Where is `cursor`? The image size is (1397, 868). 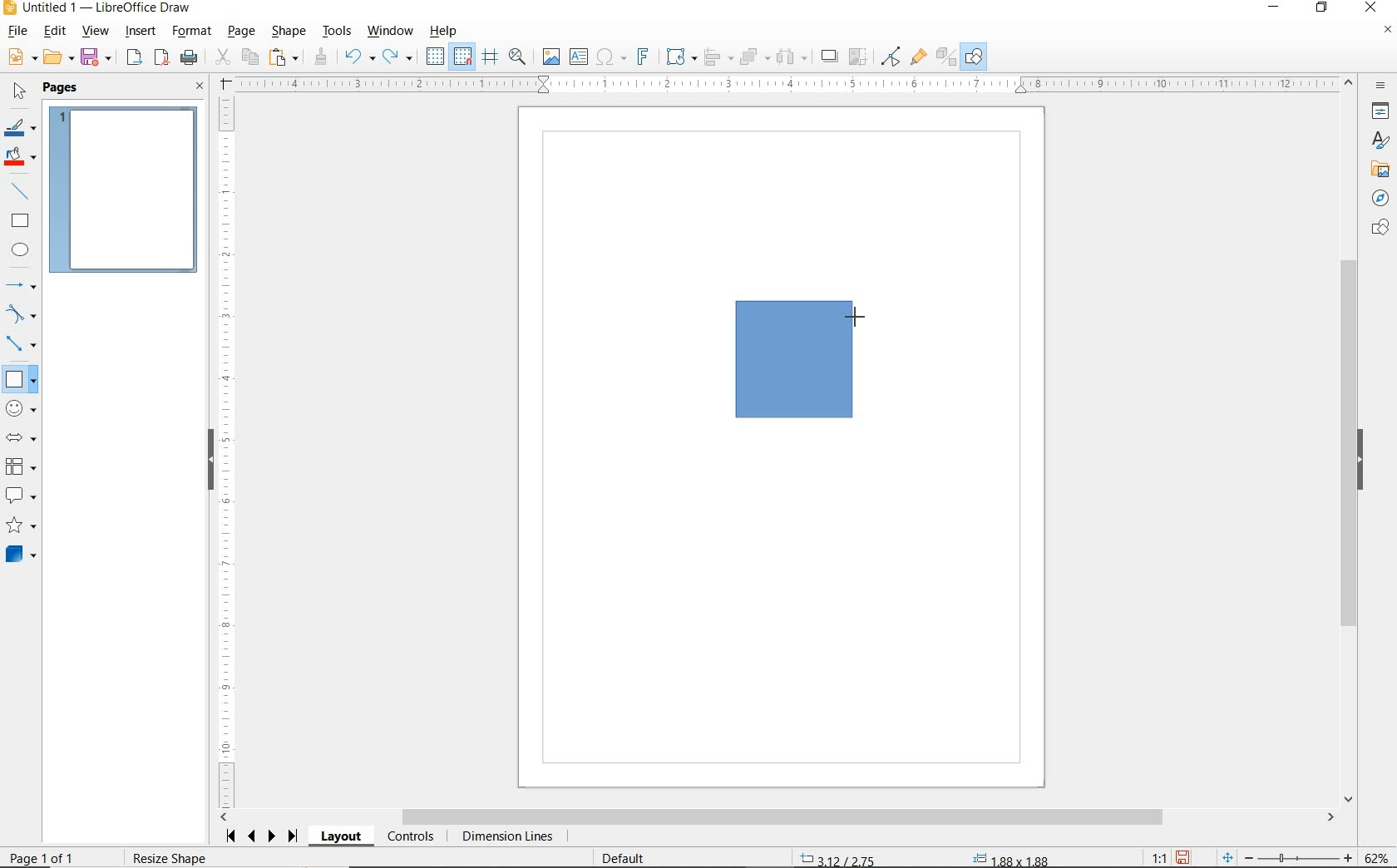 cursor is located at coordinates (854, 314).